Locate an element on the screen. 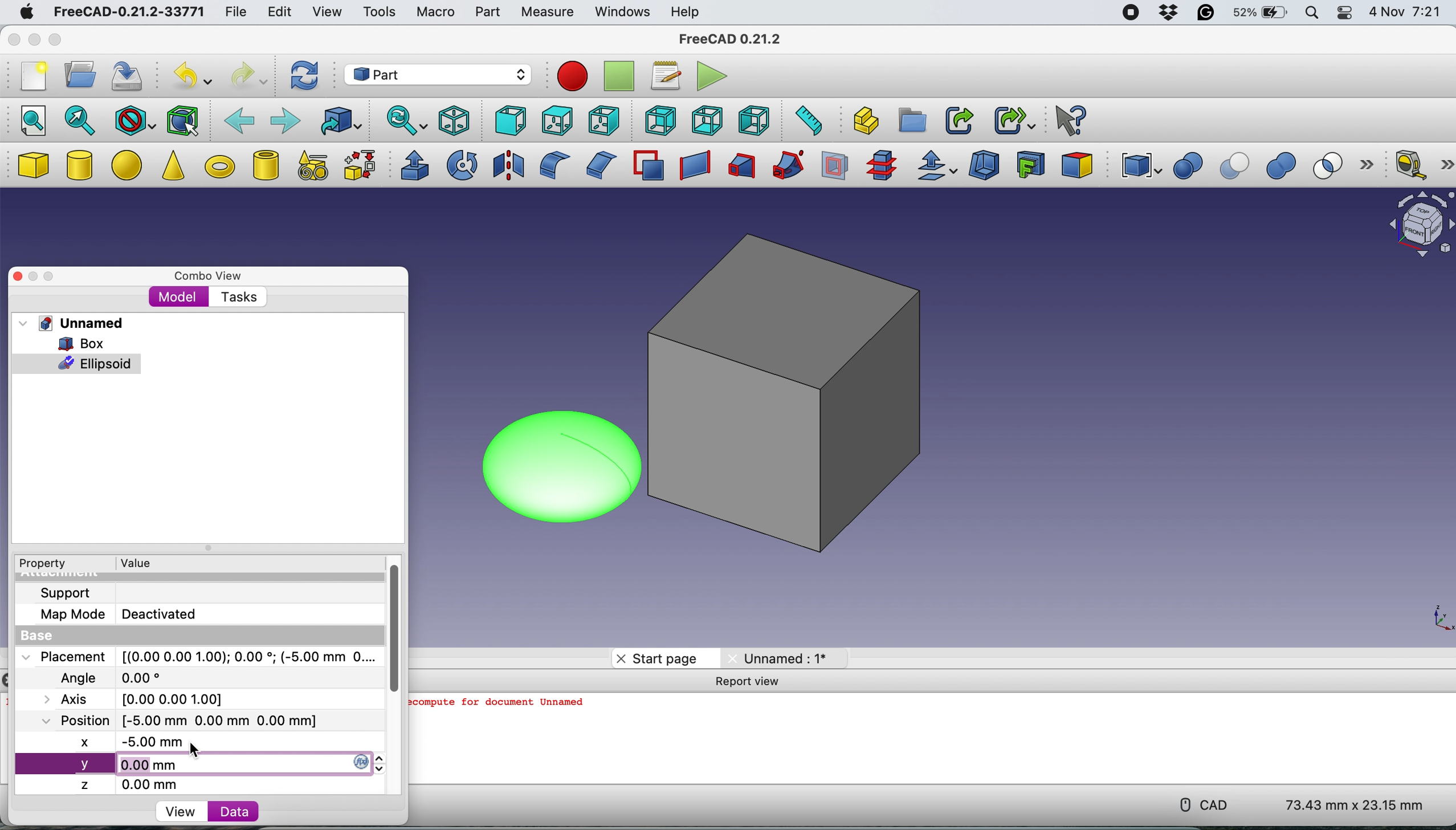 This screenshot has width=1456, height=830. box is located at coordinates (78, 343).